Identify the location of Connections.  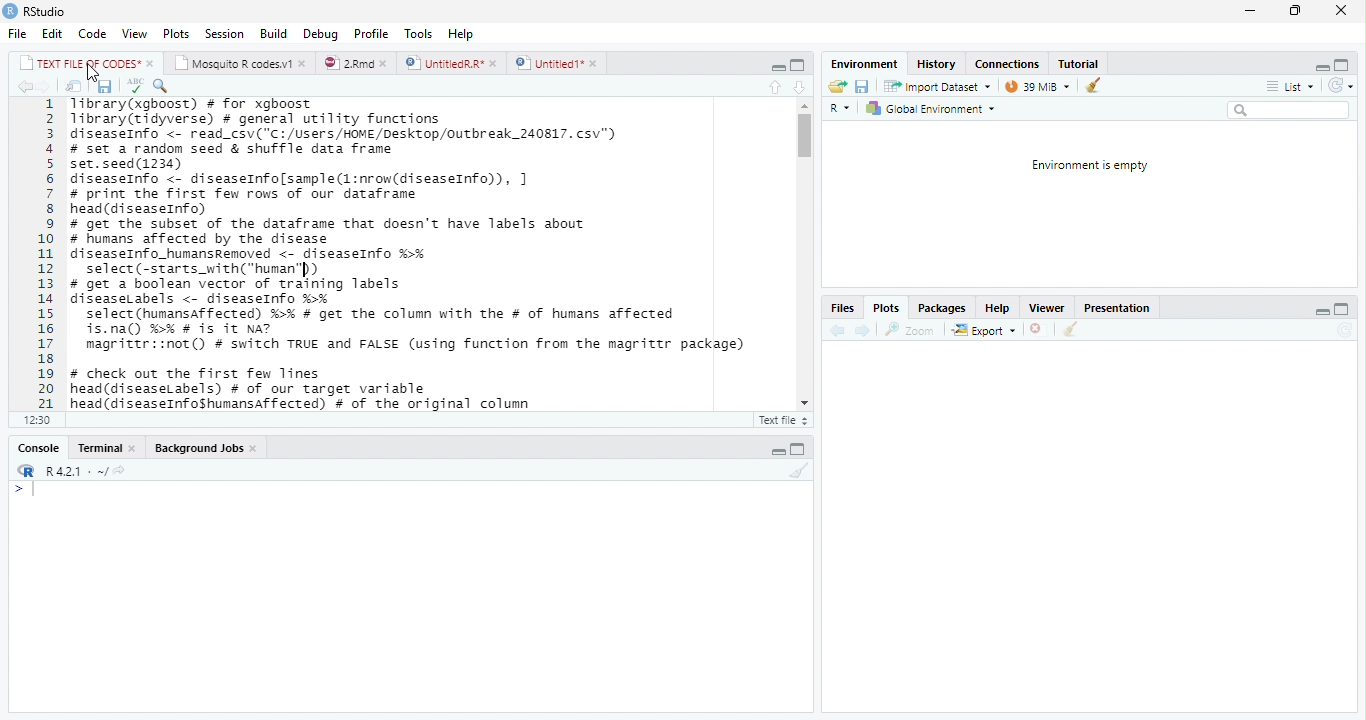
(1007, 64).